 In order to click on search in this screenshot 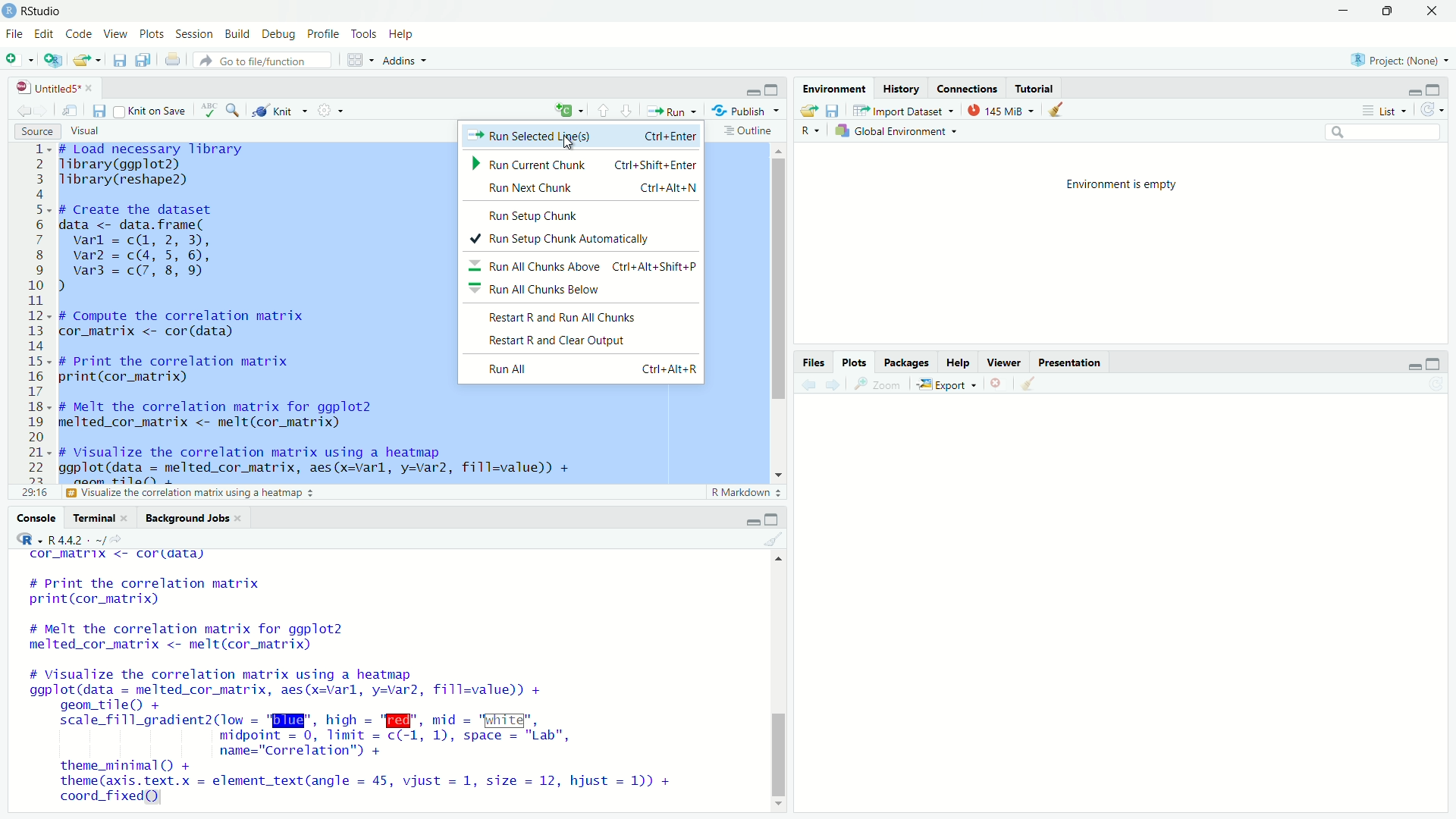, I will do `click(1384, 132)`.